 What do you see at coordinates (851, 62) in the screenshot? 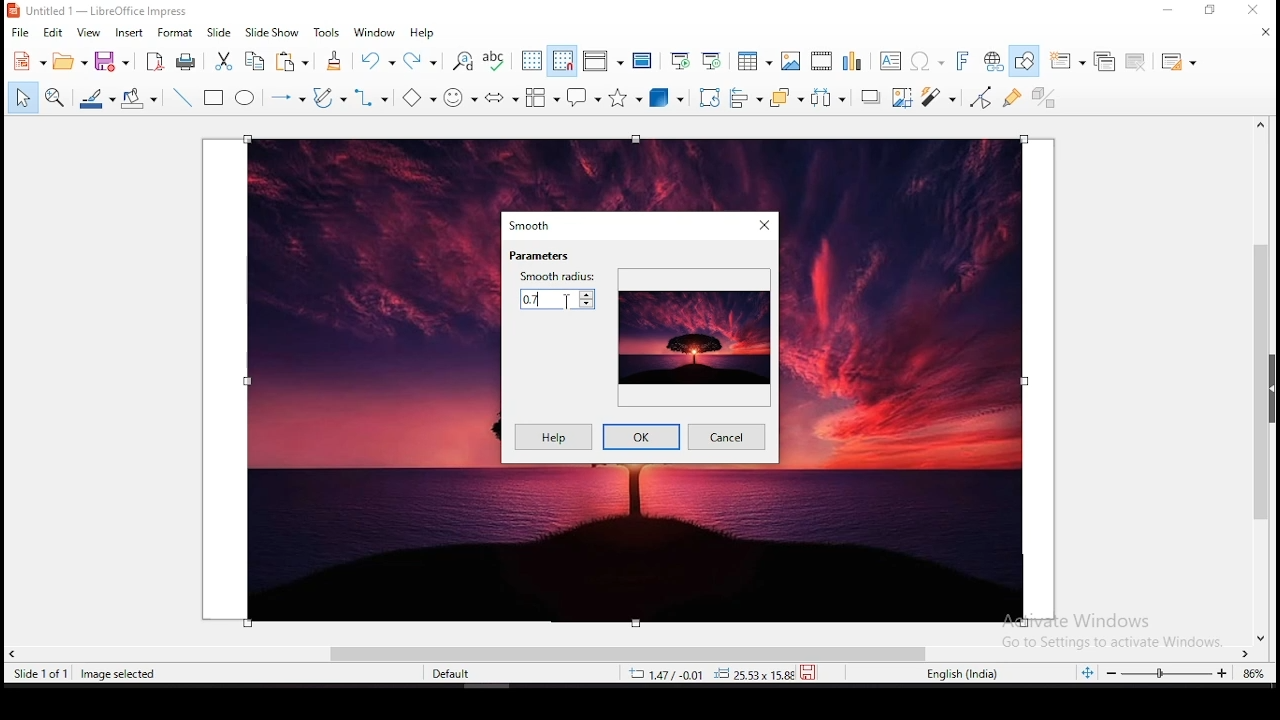
I see `insert chart` at bounding box center [851, 62].